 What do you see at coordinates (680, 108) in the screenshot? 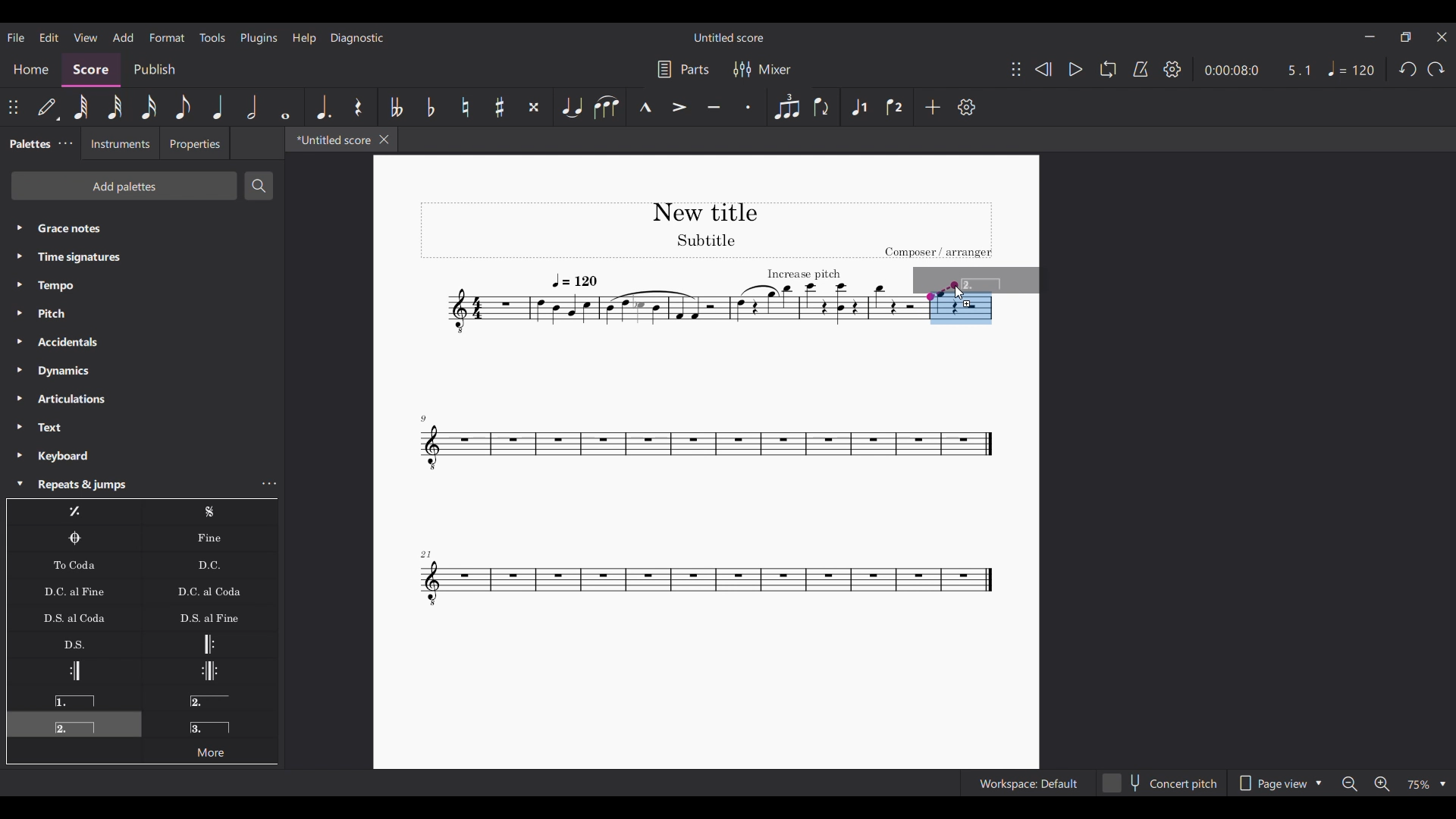
I see `Accent` at bounding box center [680, 108].